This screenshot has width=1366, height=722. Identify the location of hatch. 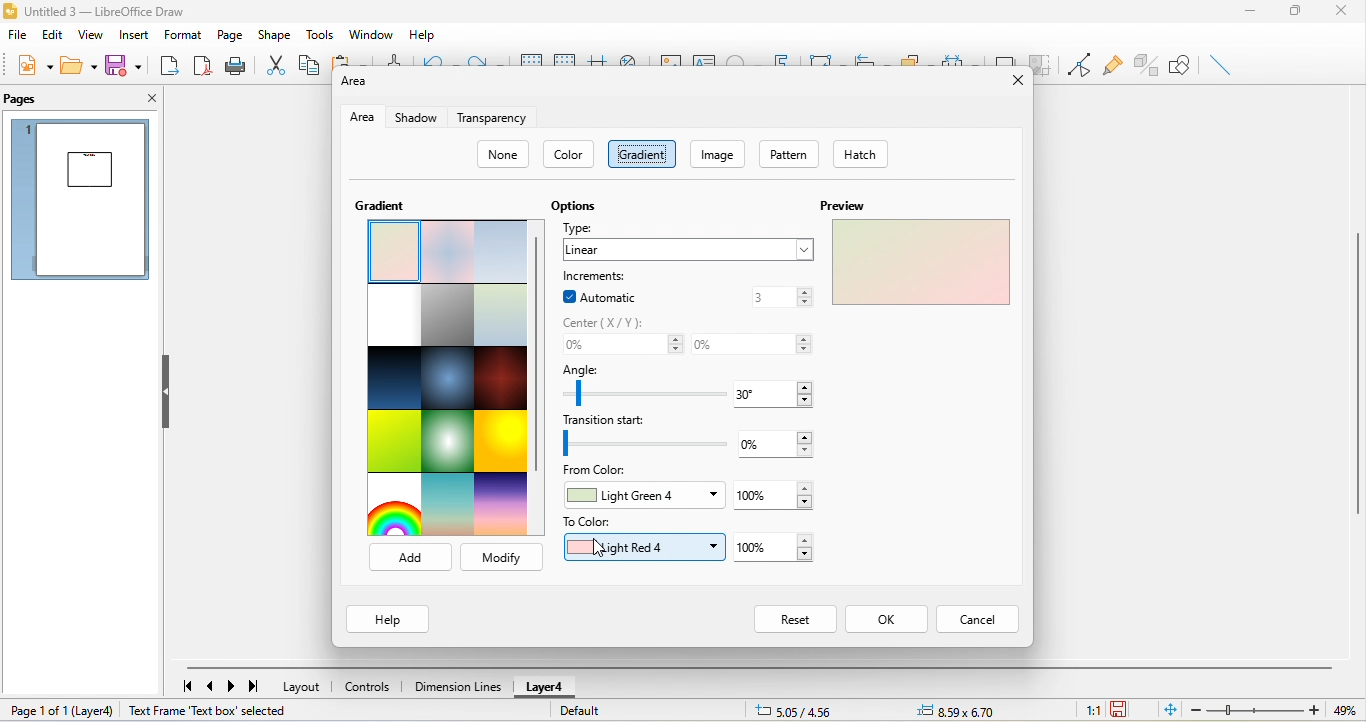
(864, 152).